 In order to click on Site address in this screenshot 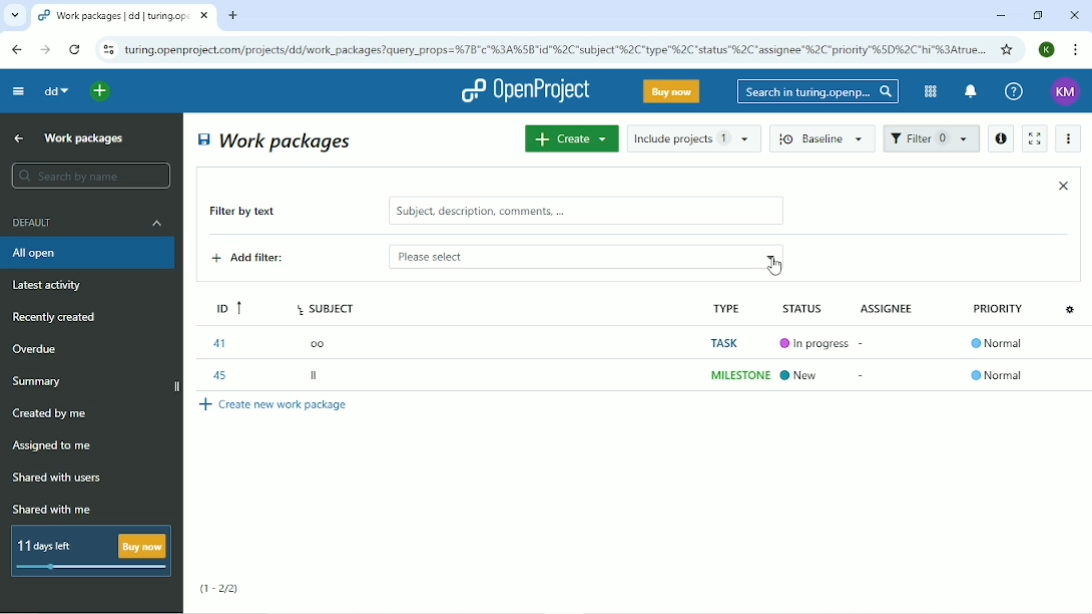, I will do `click(555, 48)`.